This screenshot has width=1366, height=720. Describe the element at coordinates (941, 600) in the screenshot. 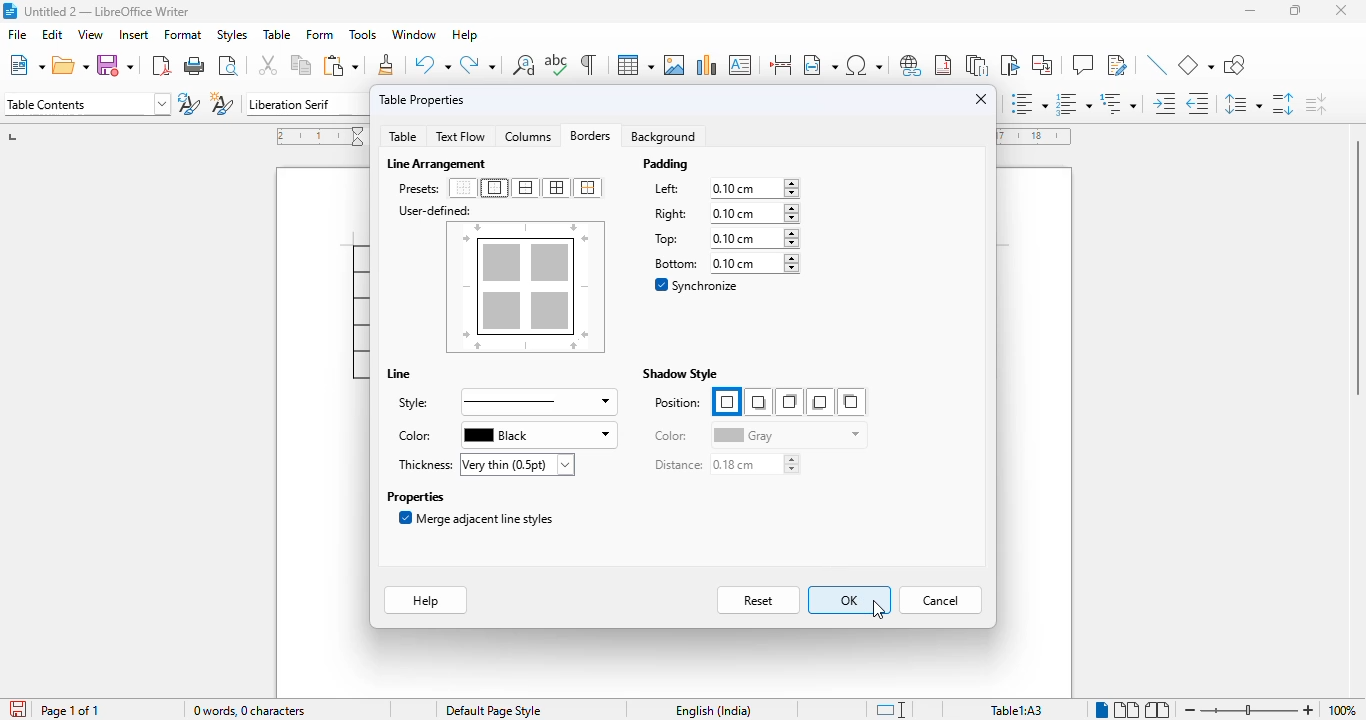

I see `cancel` at that location.